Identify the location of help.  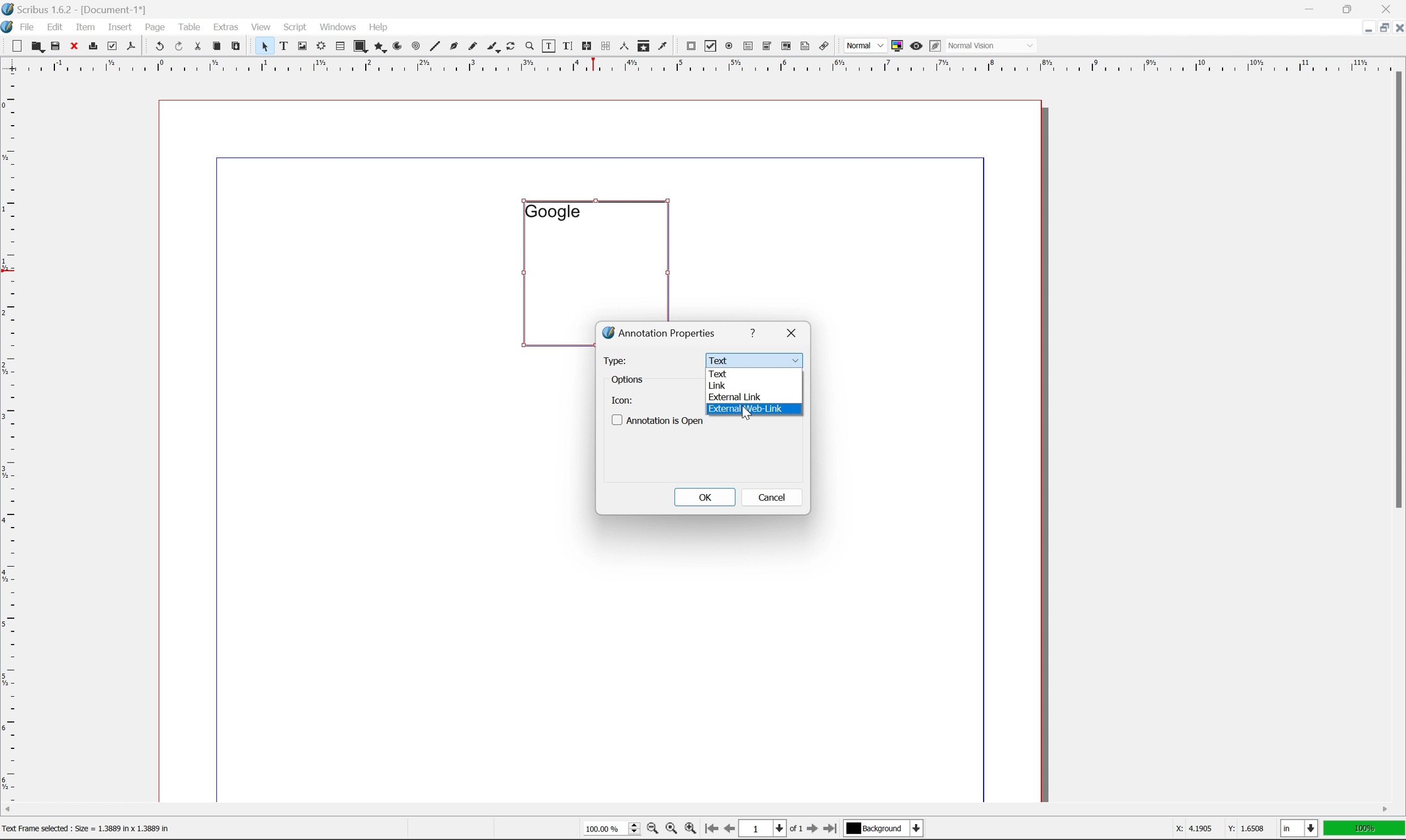
(755, 331).